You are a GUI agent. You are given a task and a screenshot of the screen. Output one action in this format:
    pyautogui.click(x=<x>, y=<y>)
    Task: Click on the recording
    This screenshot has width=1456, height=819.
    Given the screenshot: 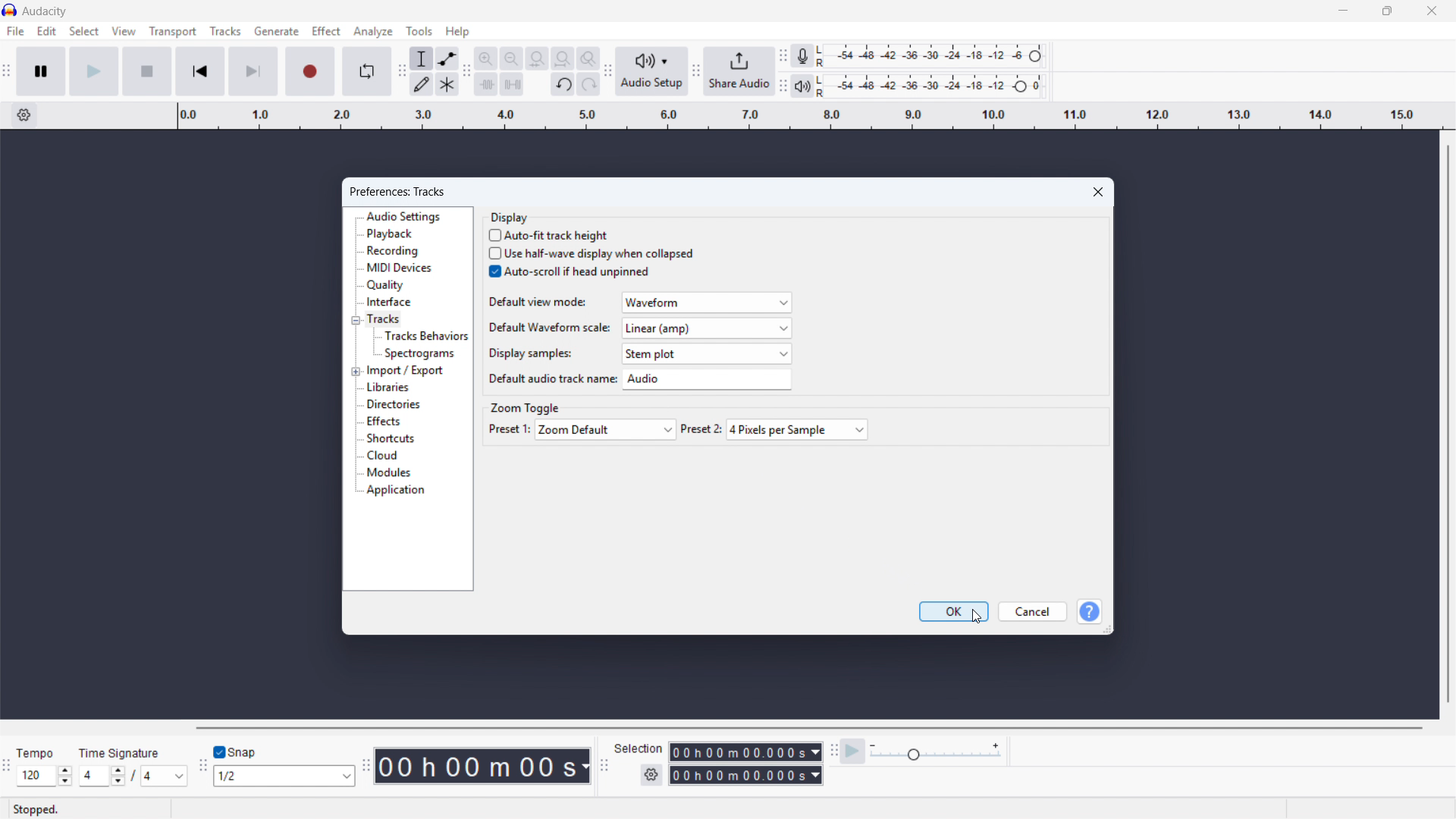 What is the action you would take?
    pyautogui.click(x=394, y=250)
    